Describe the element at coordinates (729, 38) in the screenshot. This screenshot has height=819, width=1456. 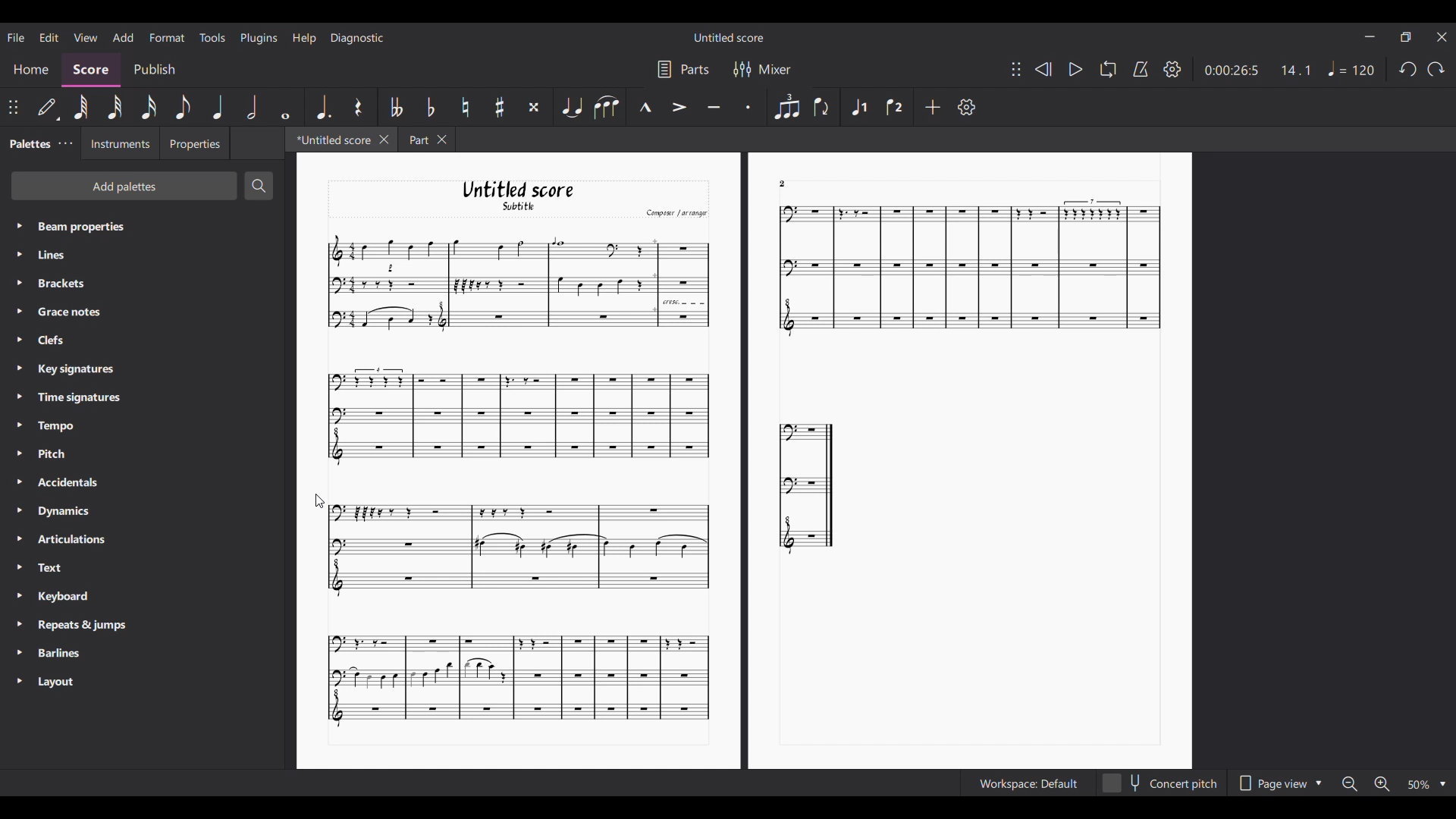
I see `Untitled score` at that location.